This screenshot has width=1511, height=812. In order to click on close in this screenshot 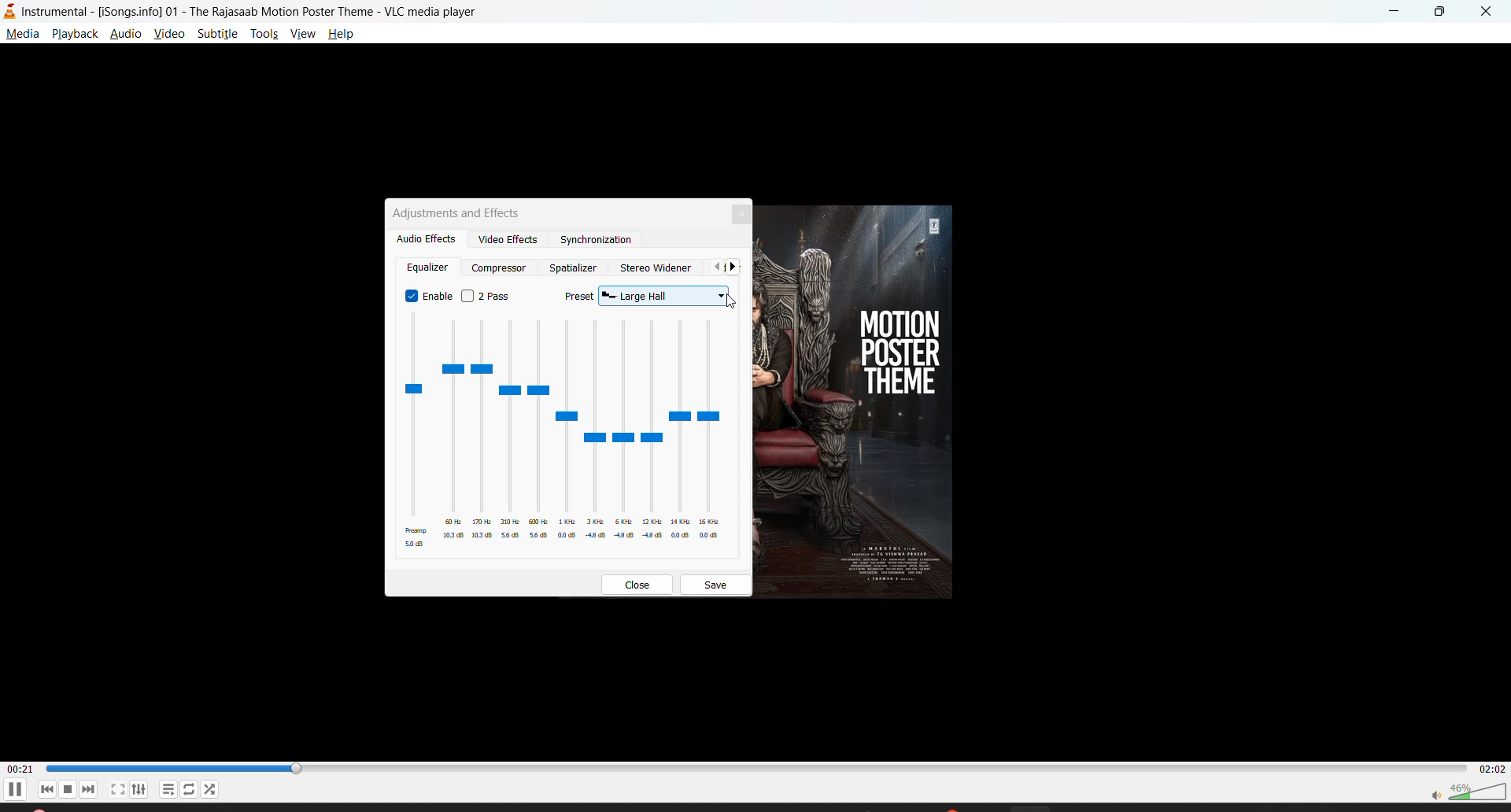, I will do `click(738, 212)`.